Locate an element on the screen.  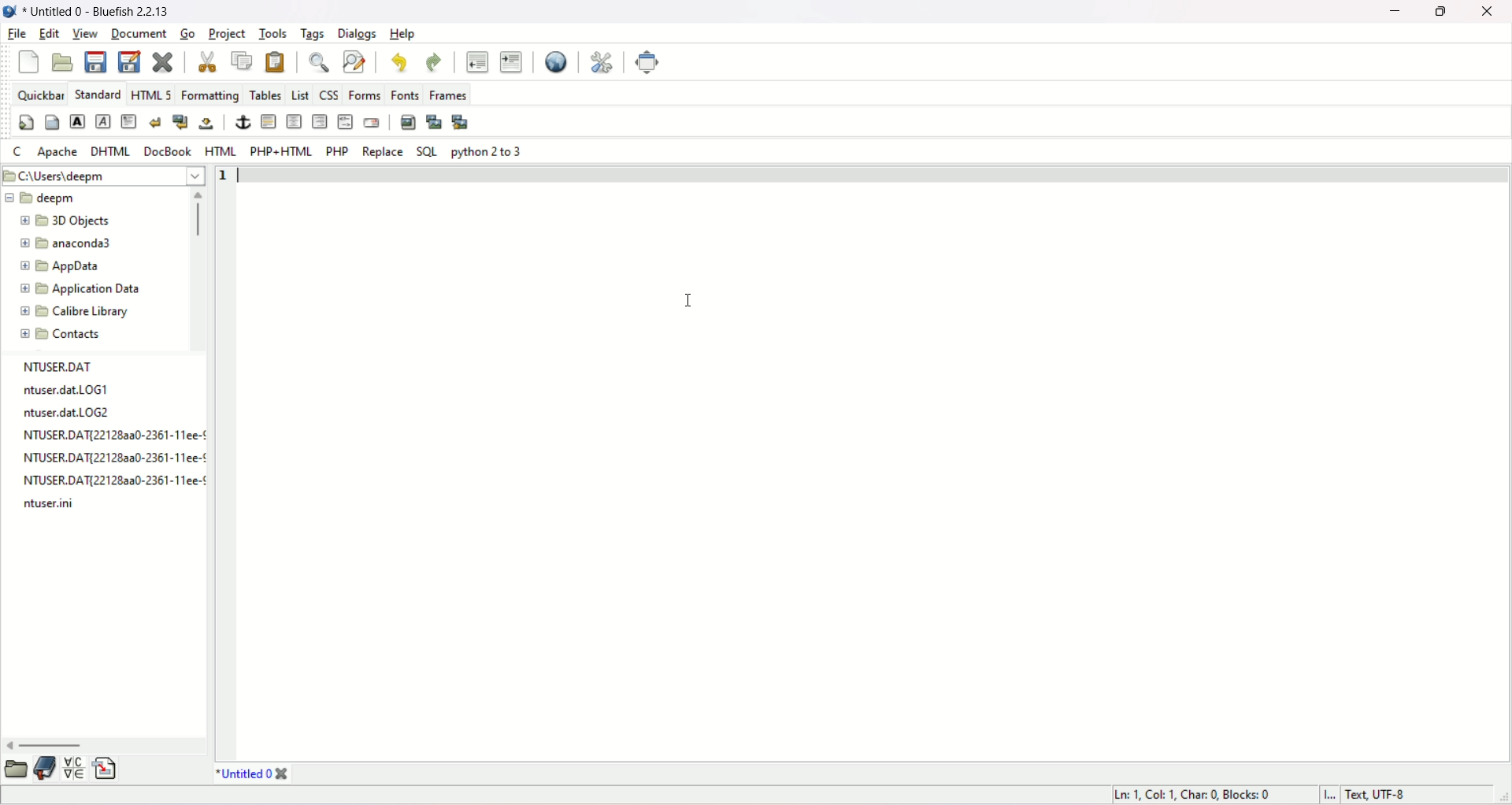
view in browser is located at coordinates (556, 61).